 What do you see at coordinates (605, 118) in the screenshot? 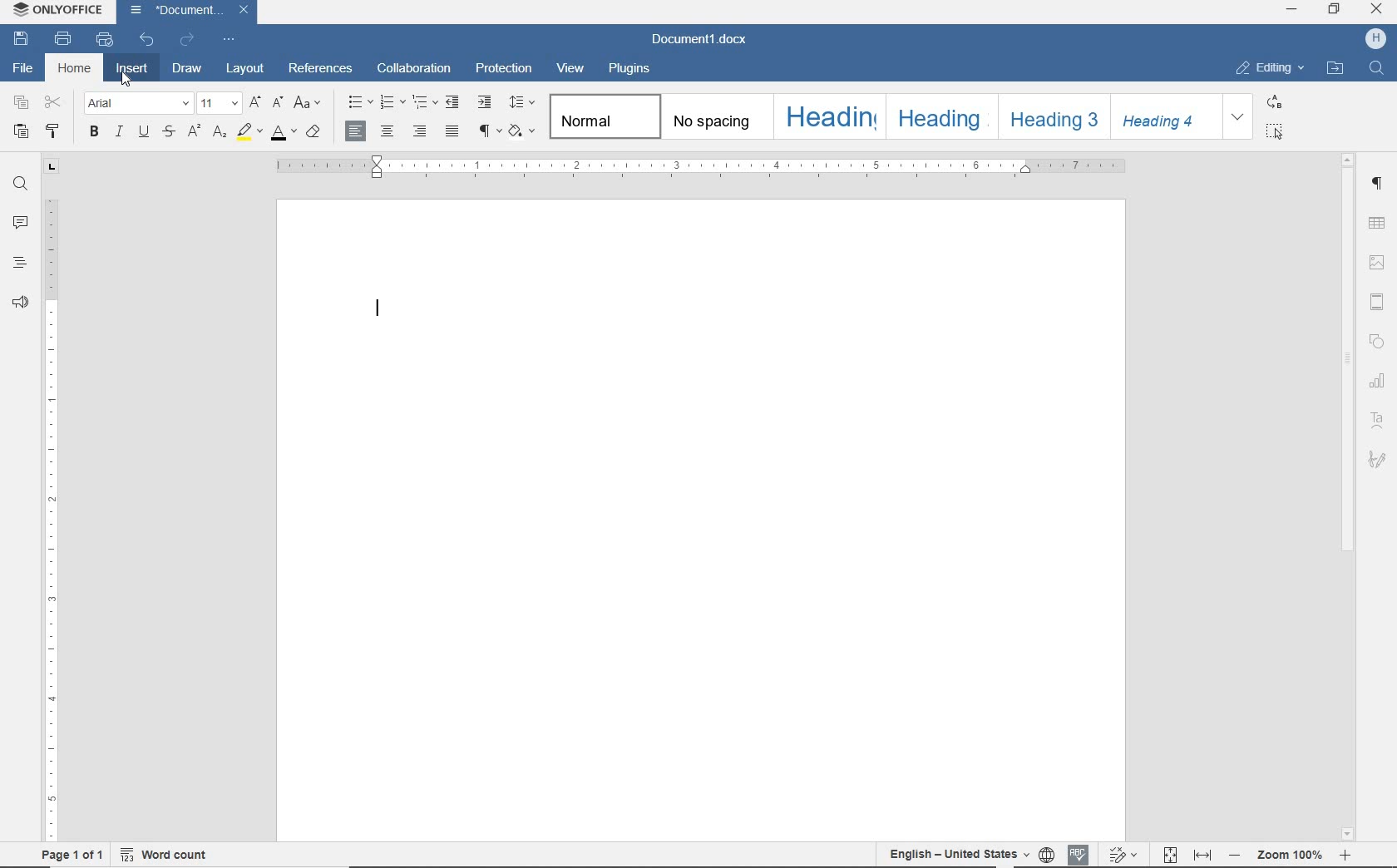
I see `normal` at bounding box center [605, 118].